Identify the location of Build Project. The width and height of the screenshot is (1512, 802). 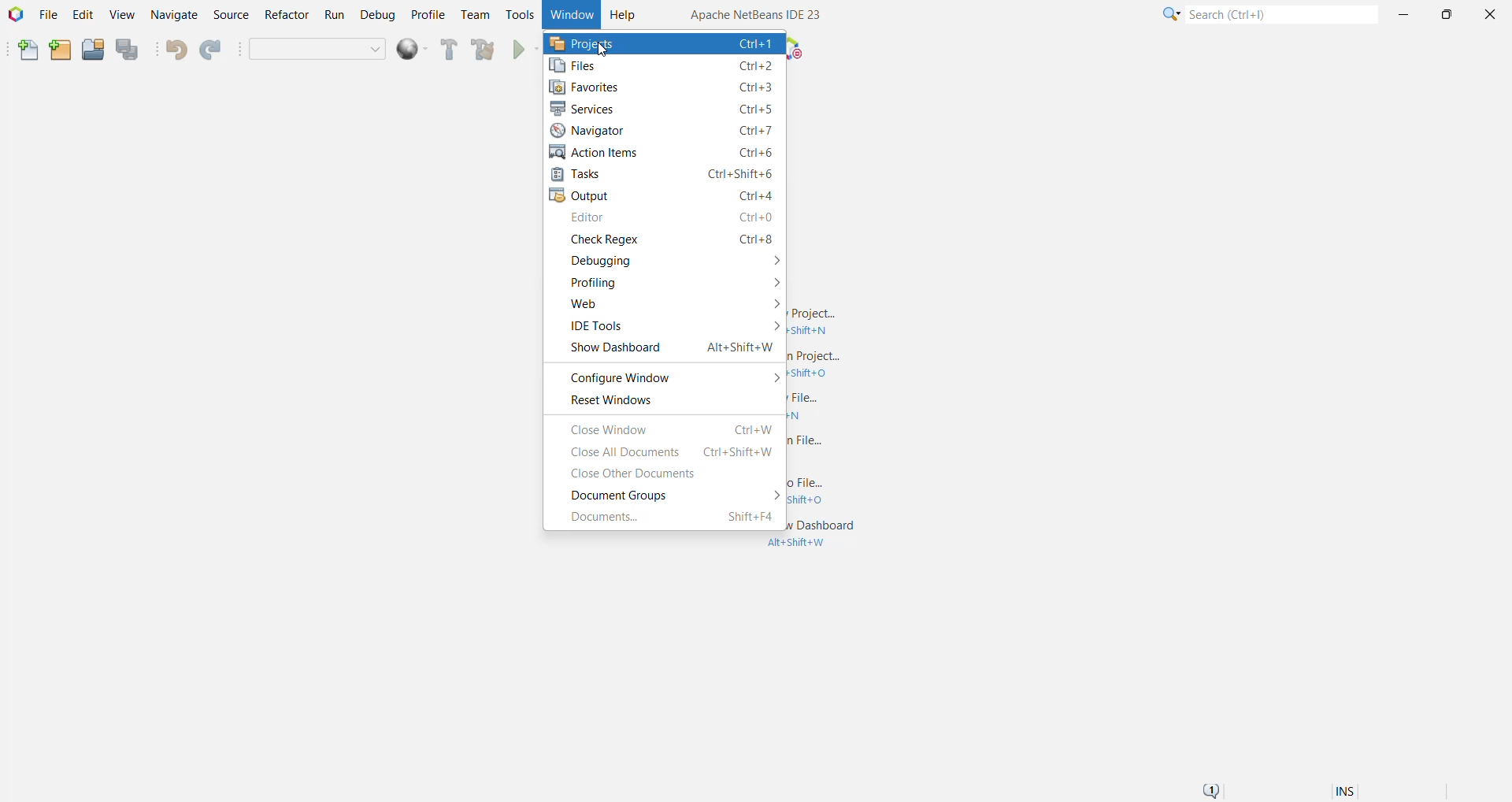
(449, 50).